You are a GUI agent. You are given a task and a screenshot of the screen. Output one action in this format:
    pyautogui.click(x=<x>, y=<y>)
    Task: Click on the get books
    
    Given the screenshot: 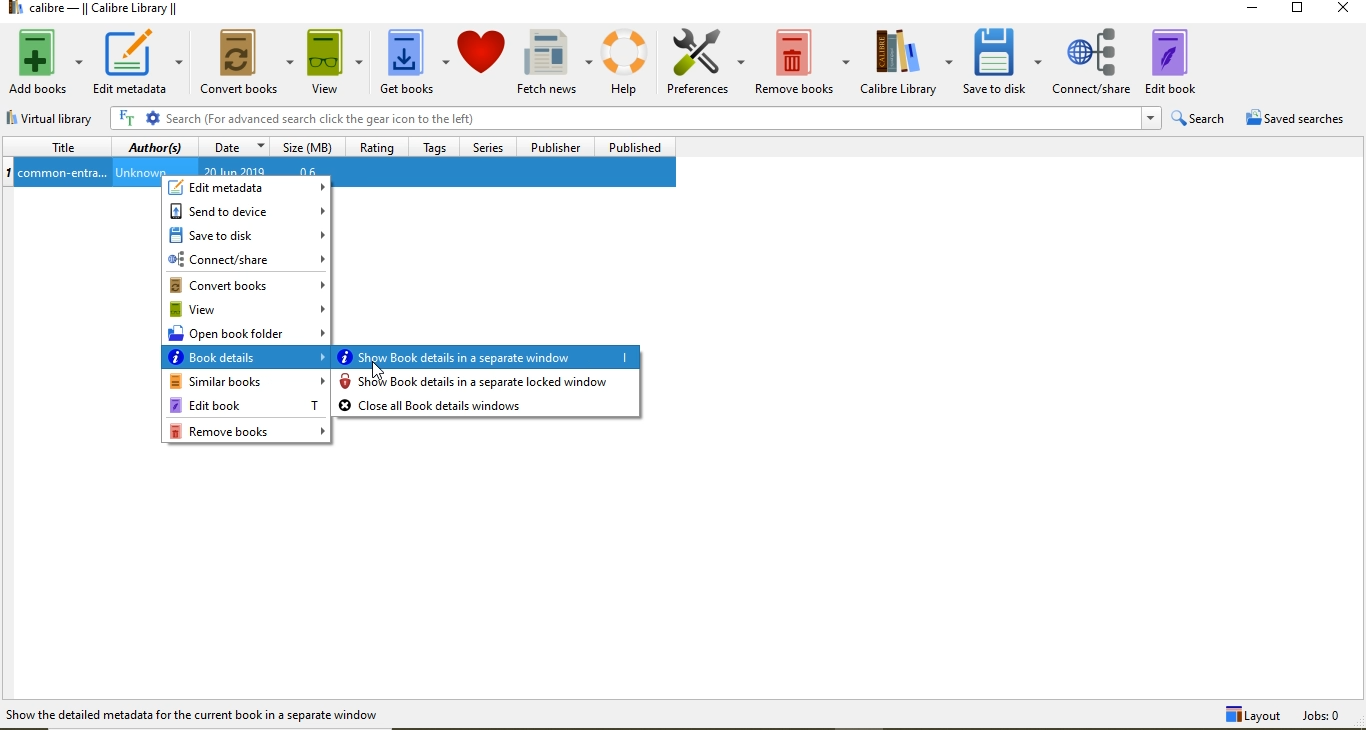 What is the action you would take?
    pyautogui.click(x=414, y=61)
    